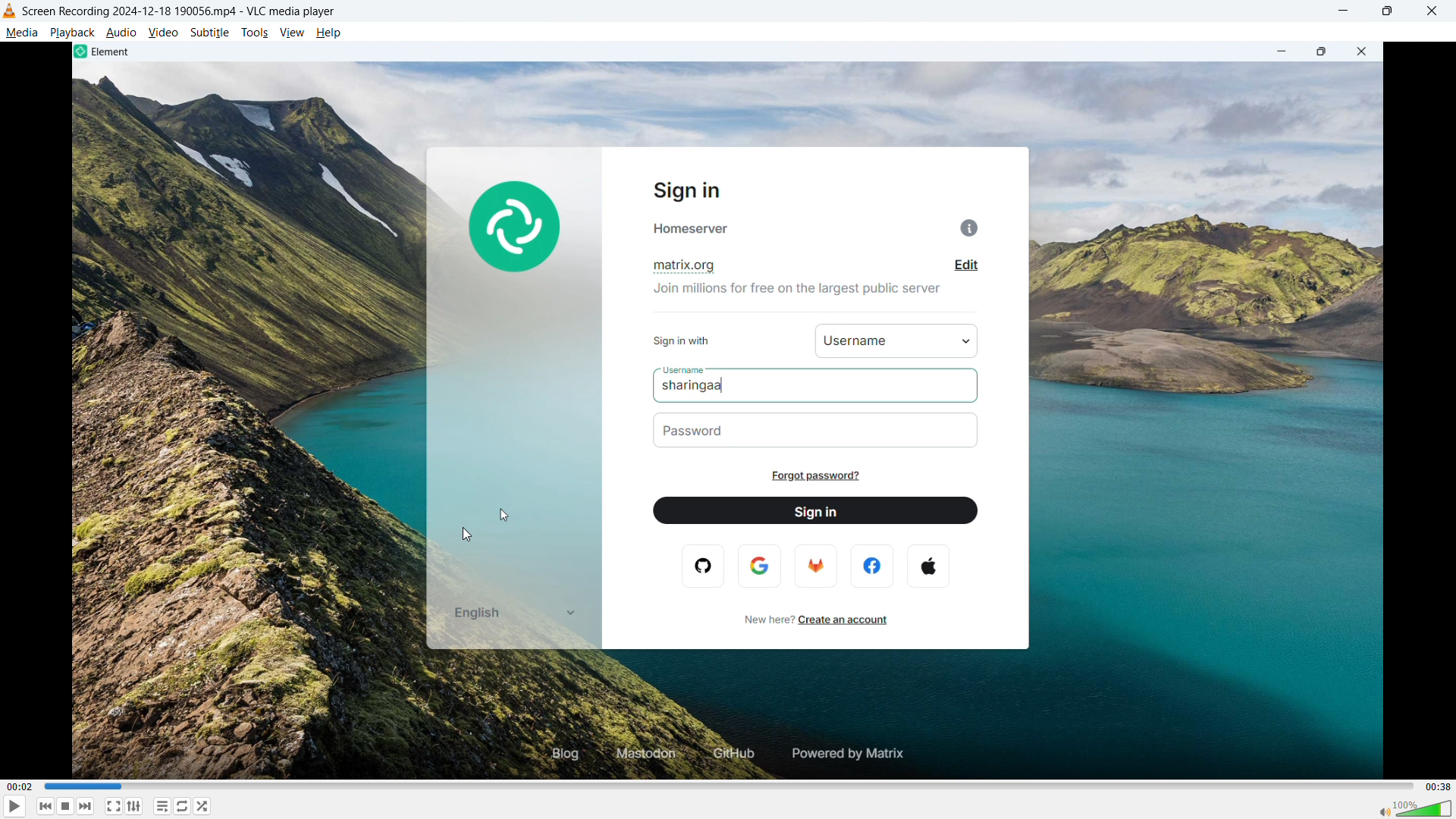 This screenshot has width=1456, height=819. Describe the element at coordinates (690, 265) in the screenshot. I see `matrix.org` at that location.